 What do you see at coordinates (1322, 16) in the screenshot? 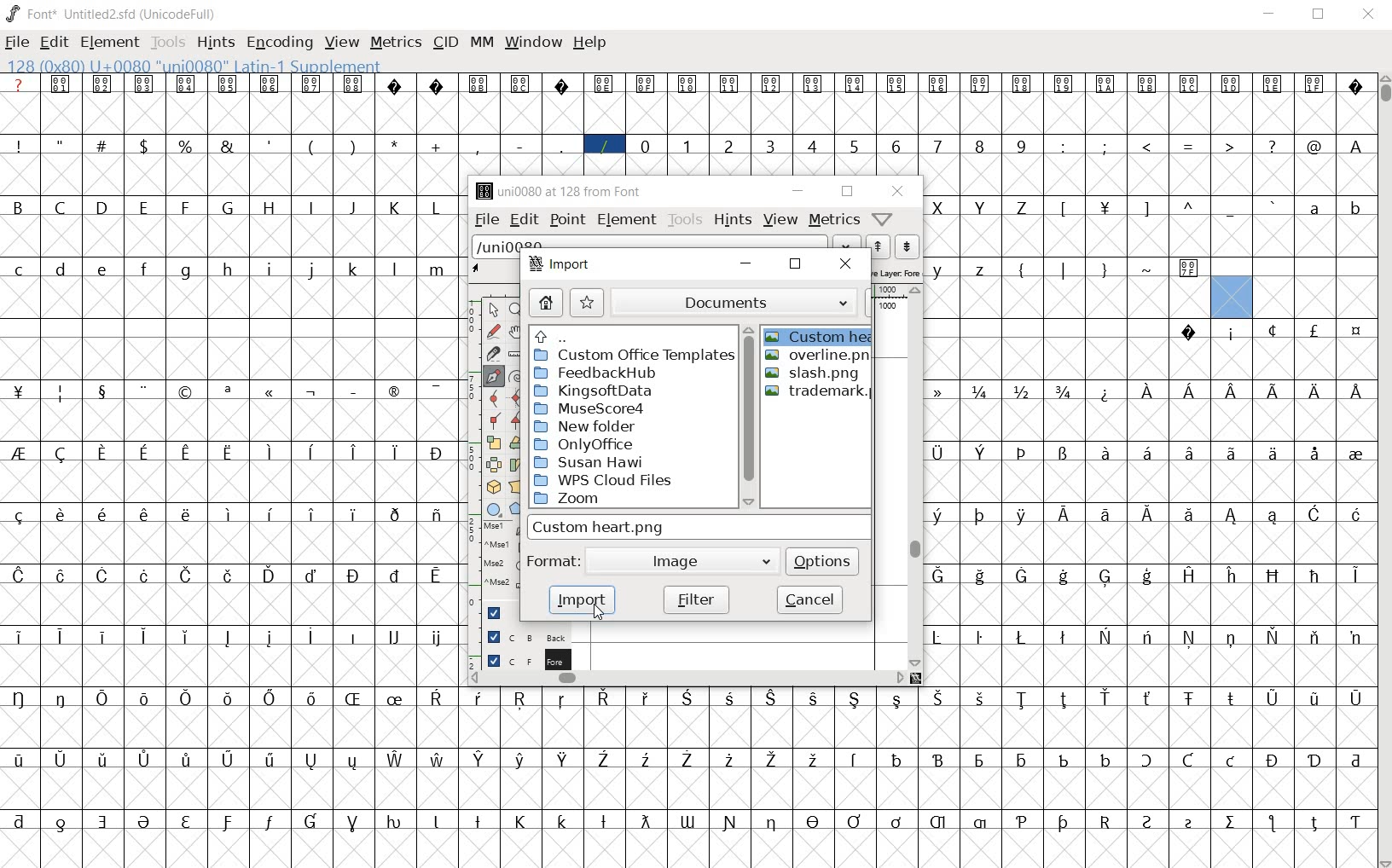
I see `RESTORE` at bounding box center [1322, 16].